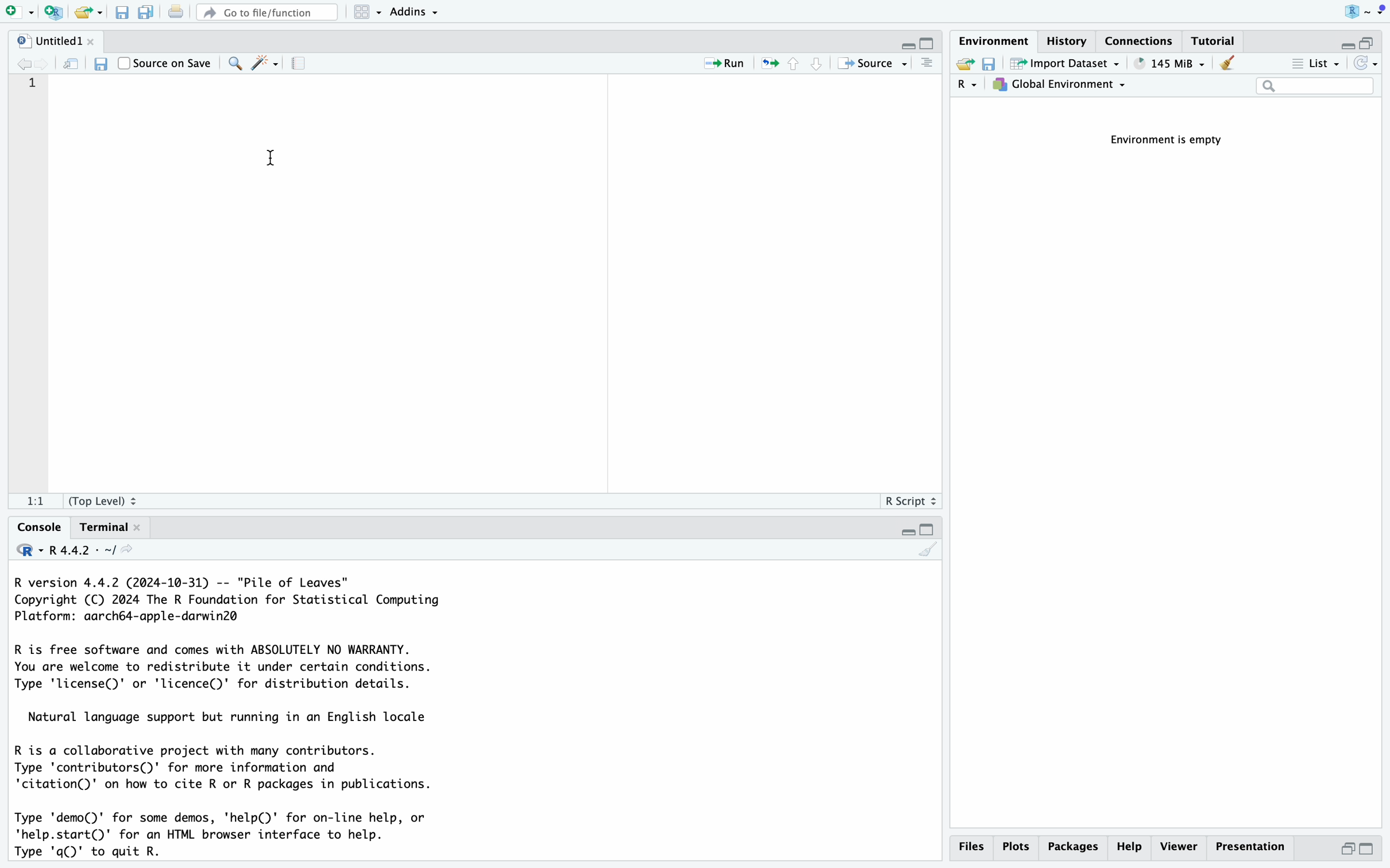 This screenshot has width=1390, height=868. Describe the element at coordinates (1373, 37) in the screenshot. I see `maximize` at that location.